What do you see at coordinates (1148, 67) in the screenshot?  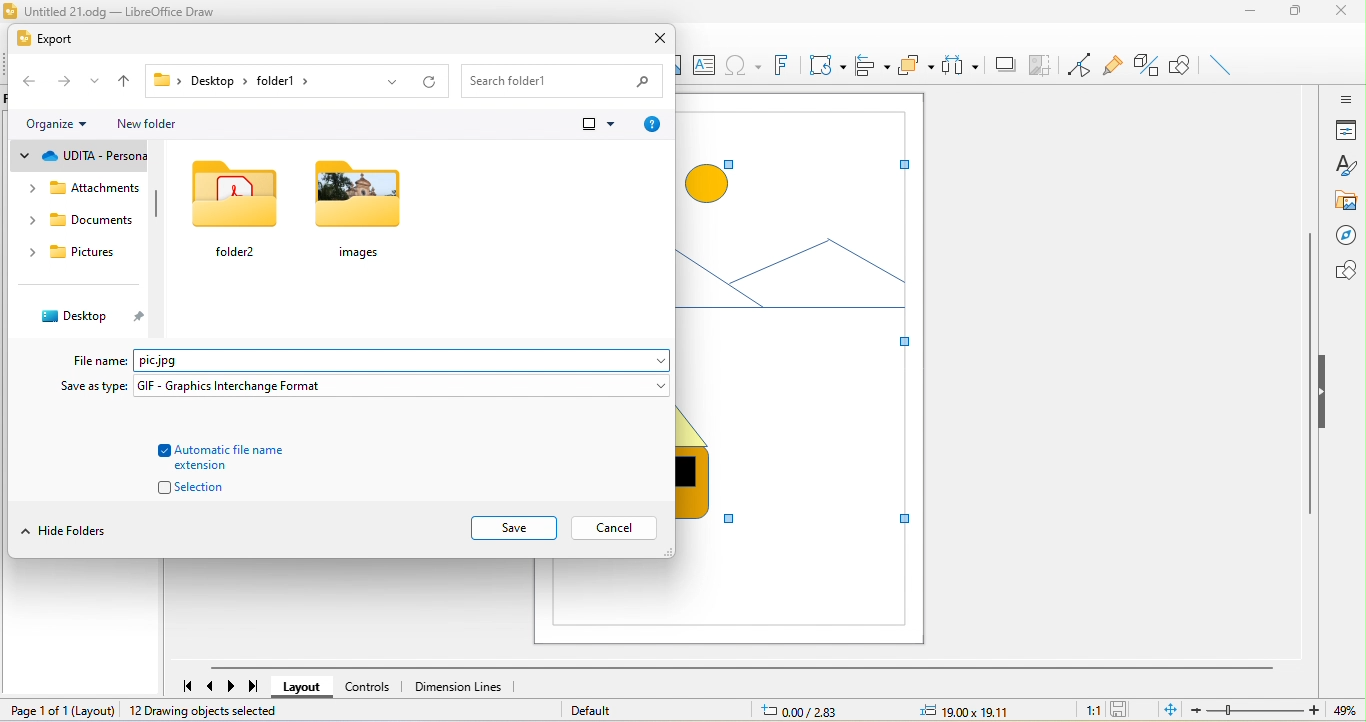 I see `toggle extrusion` at bounding box center [1148, 67].